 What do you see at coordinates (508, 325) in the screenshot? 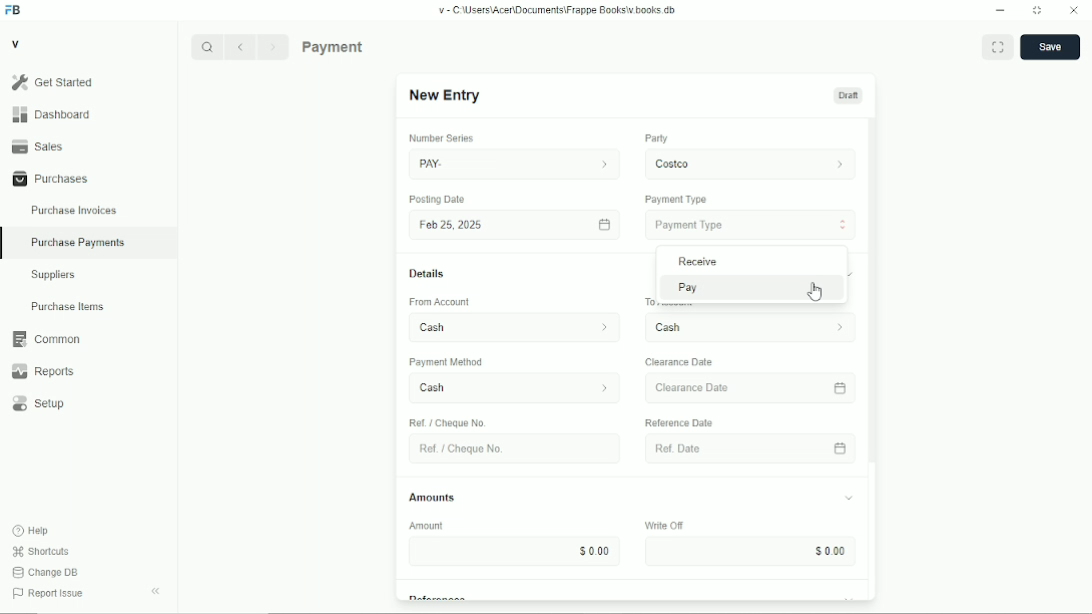
I see `From Account` at bounding box center [508, 325].